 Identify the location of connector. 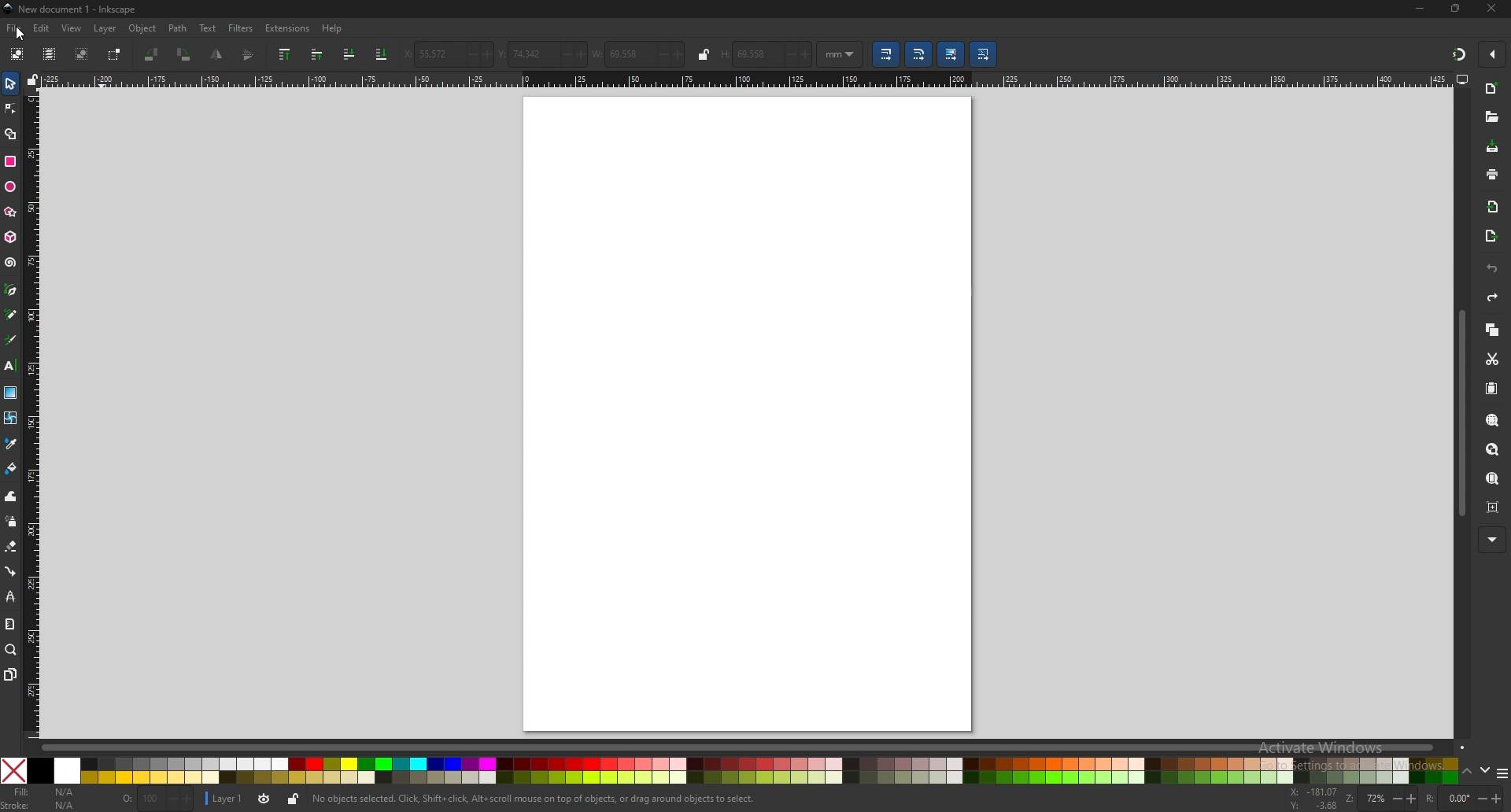
(10, 570).